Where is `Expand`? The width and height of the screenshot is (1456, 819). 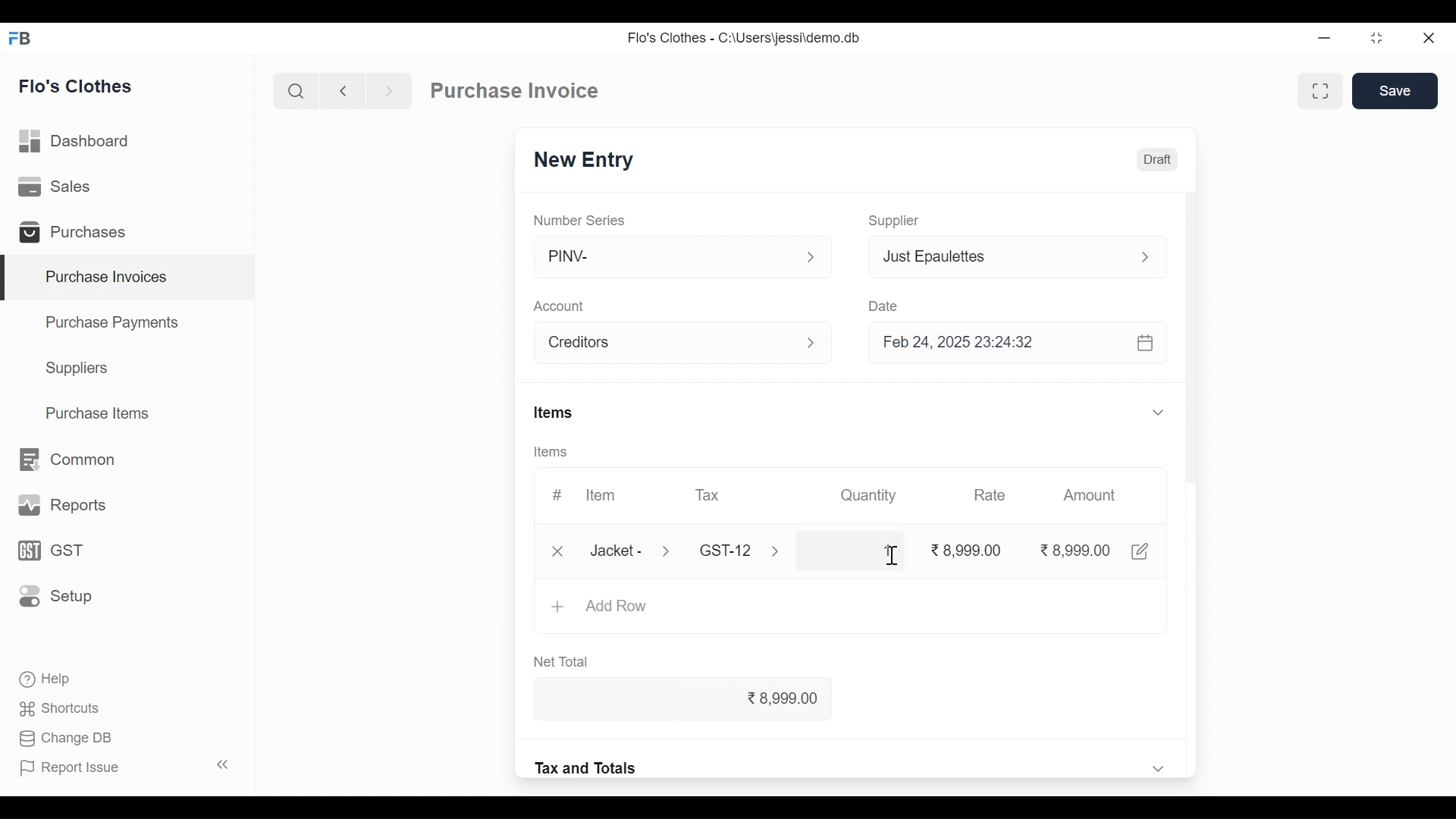
Expand is located at coordinates (817, 344).